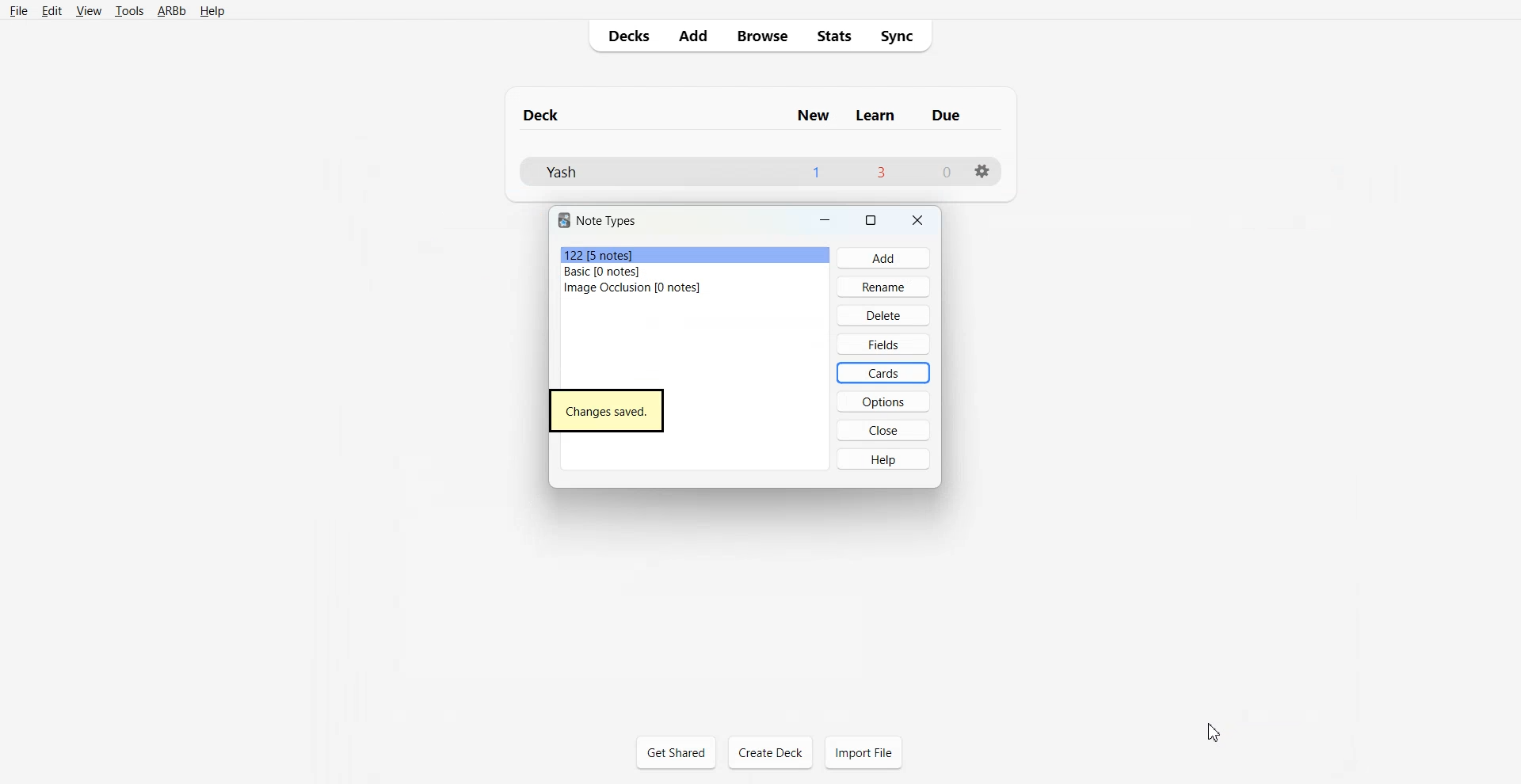  I want to click on get shared, so click(683, 752).